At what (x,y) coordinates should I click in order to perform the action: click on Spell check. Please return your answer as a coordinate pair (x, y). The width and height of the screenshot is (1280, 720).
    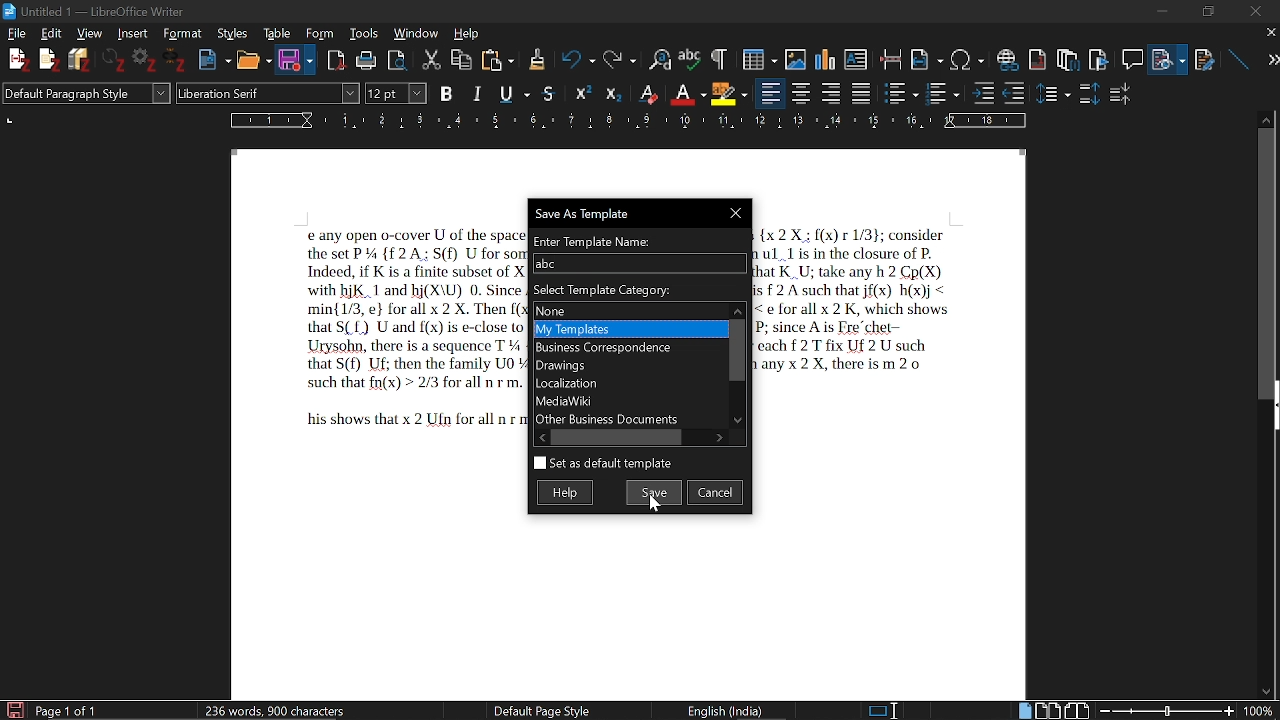
    Looking at the image, I should click on (690, 57).